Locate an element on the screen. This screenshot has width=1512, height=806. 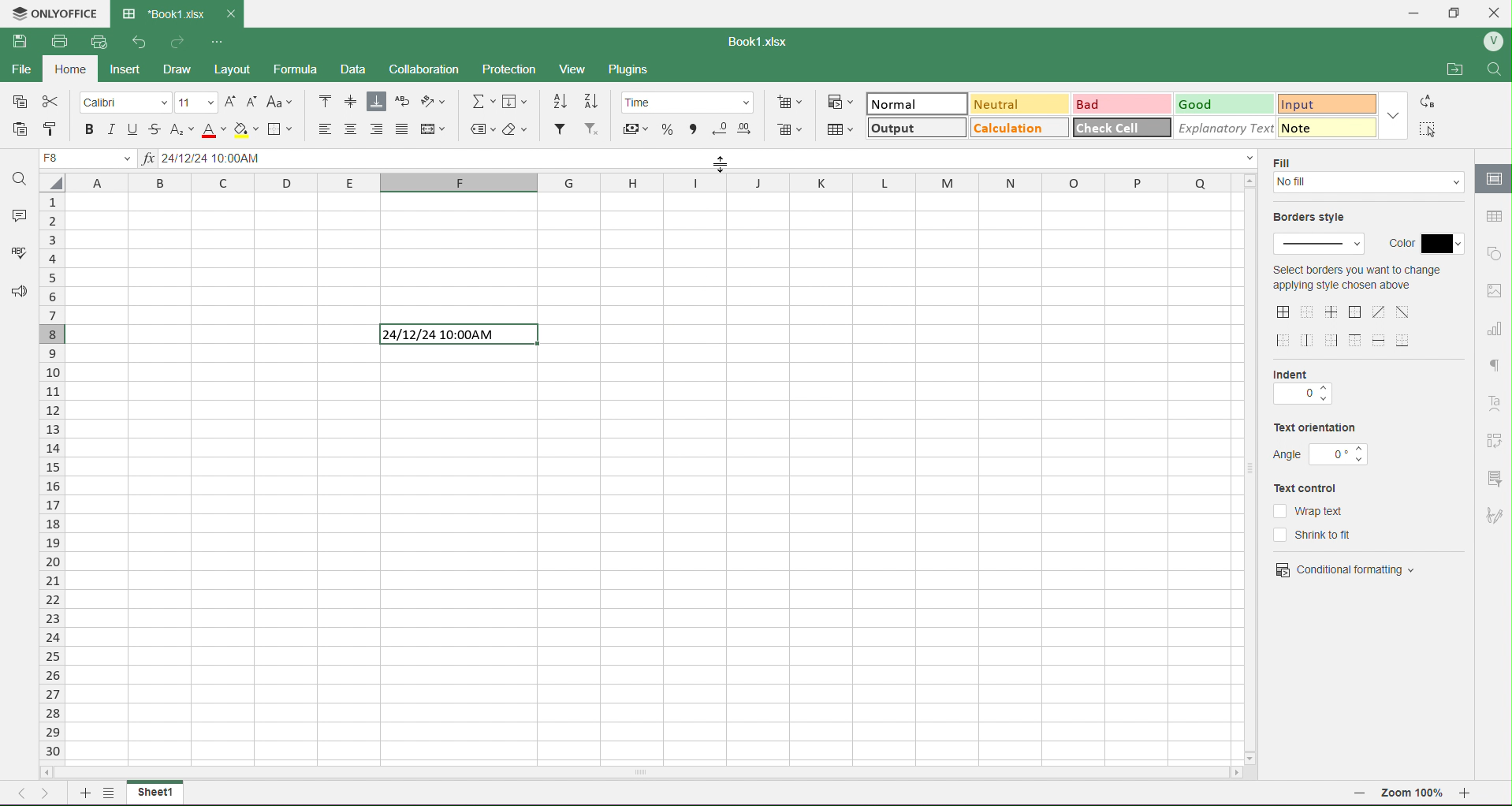
fill is located at coordinates (1370, 185).